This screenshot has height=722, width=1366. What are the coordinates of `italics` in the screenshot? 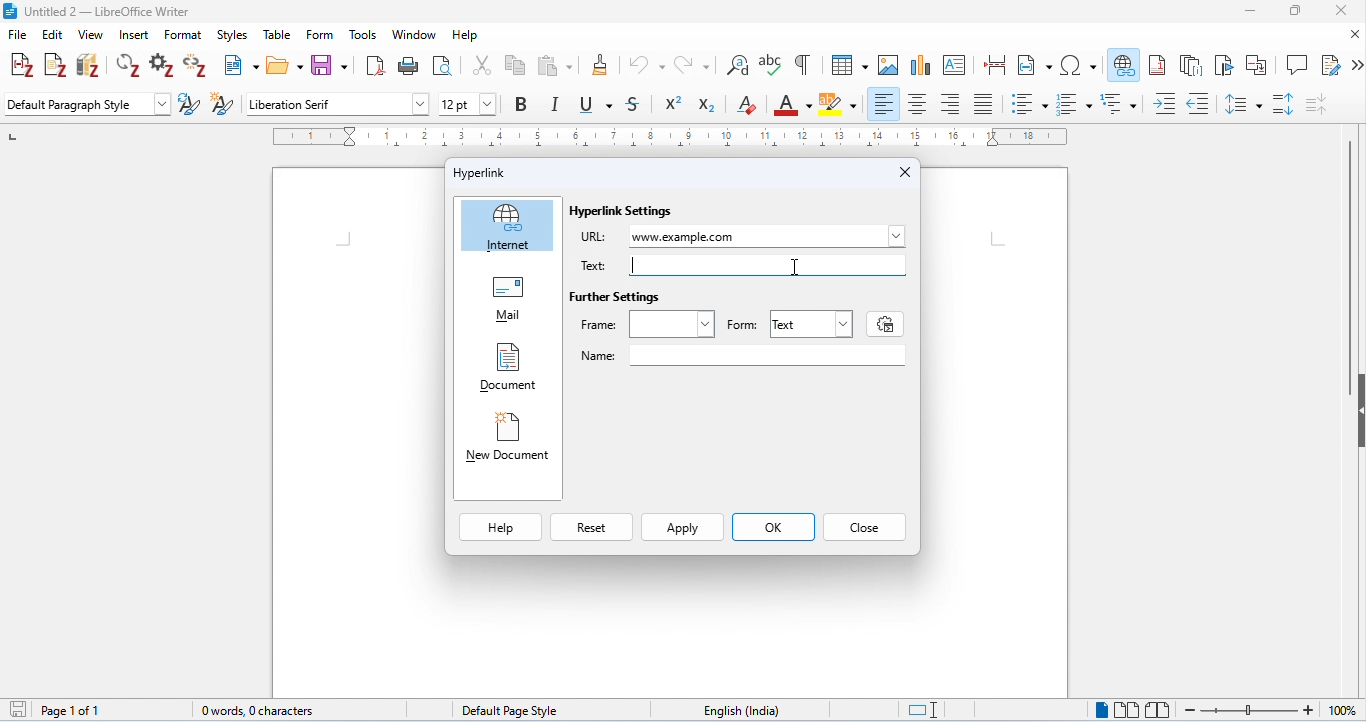 It's located at (557, 104).